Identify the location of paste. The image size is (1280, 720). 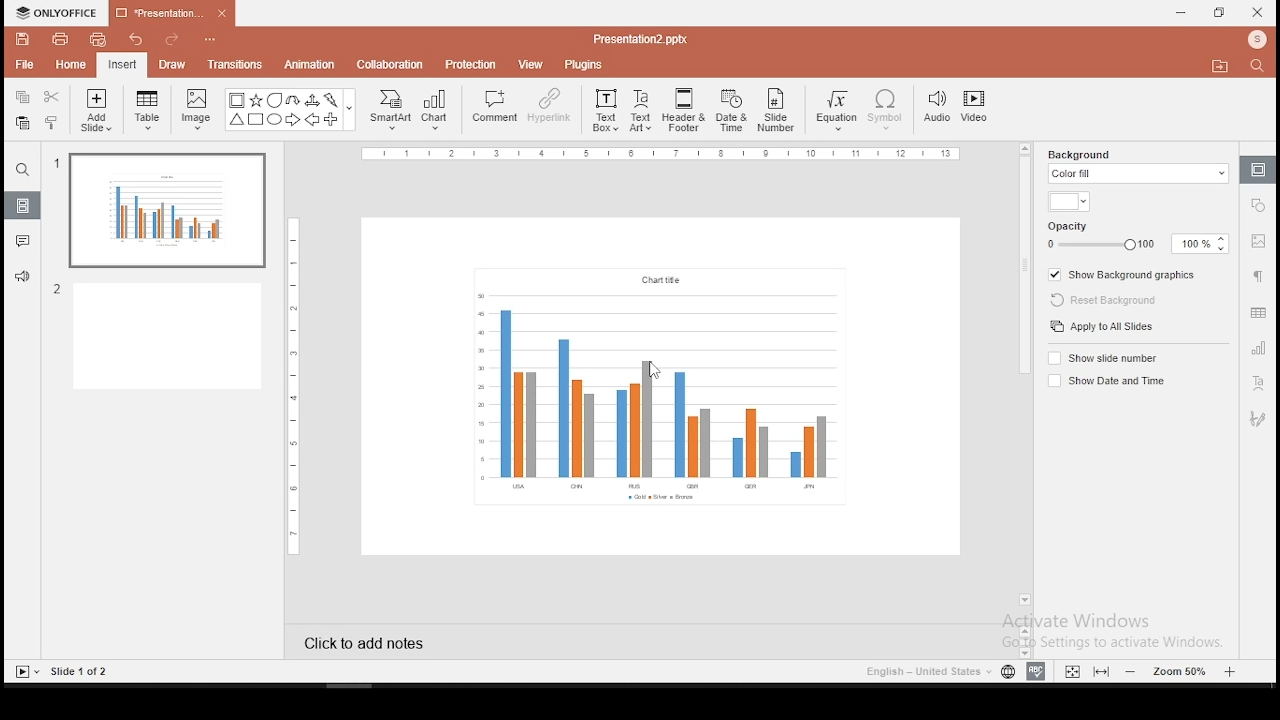
(21, 122).